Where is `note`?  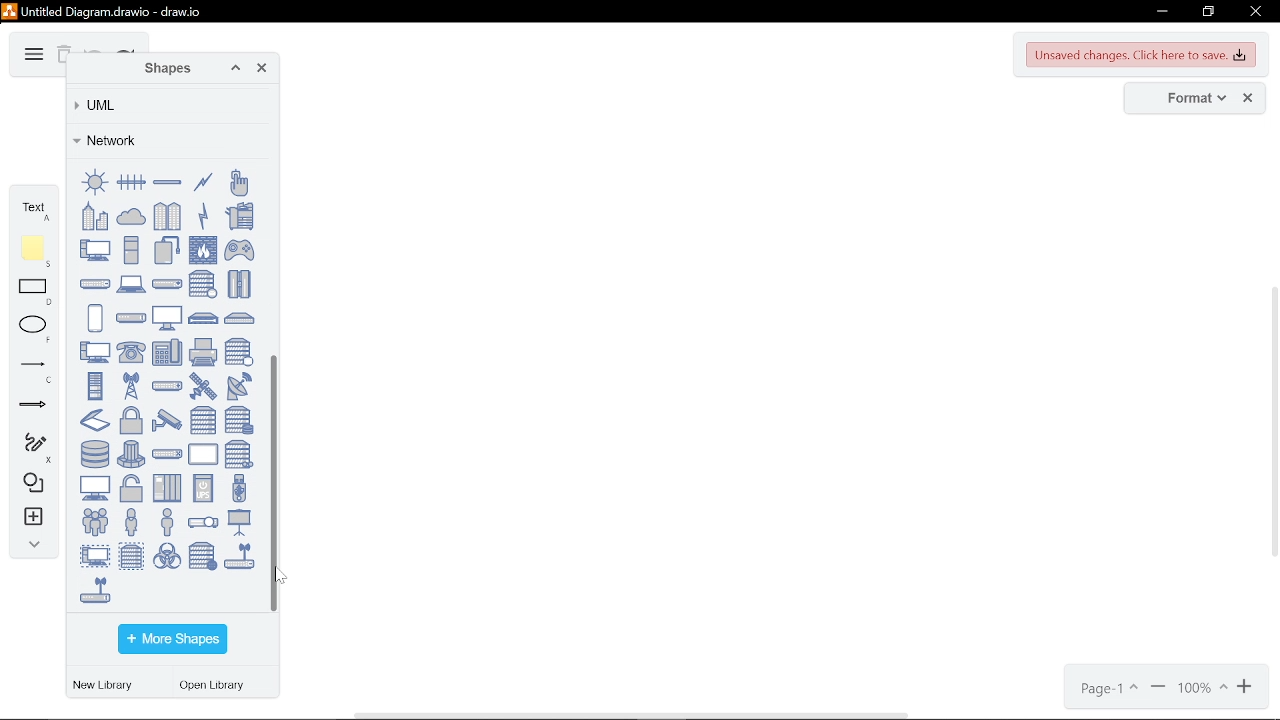
note is located at coordinates (36, 251).